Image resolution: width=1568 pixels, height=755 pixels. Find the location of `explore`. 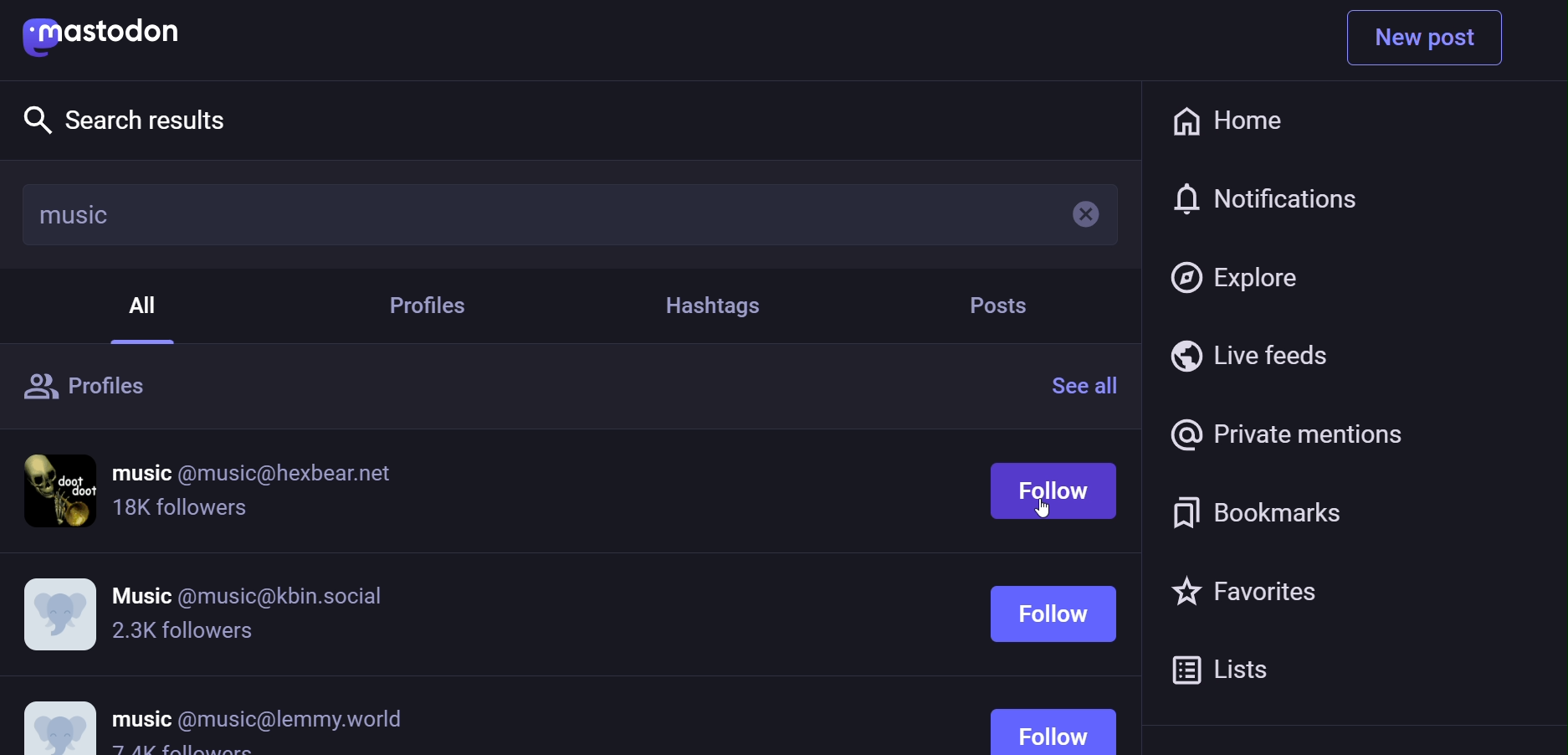

explore is located at coordinates (131, 118).